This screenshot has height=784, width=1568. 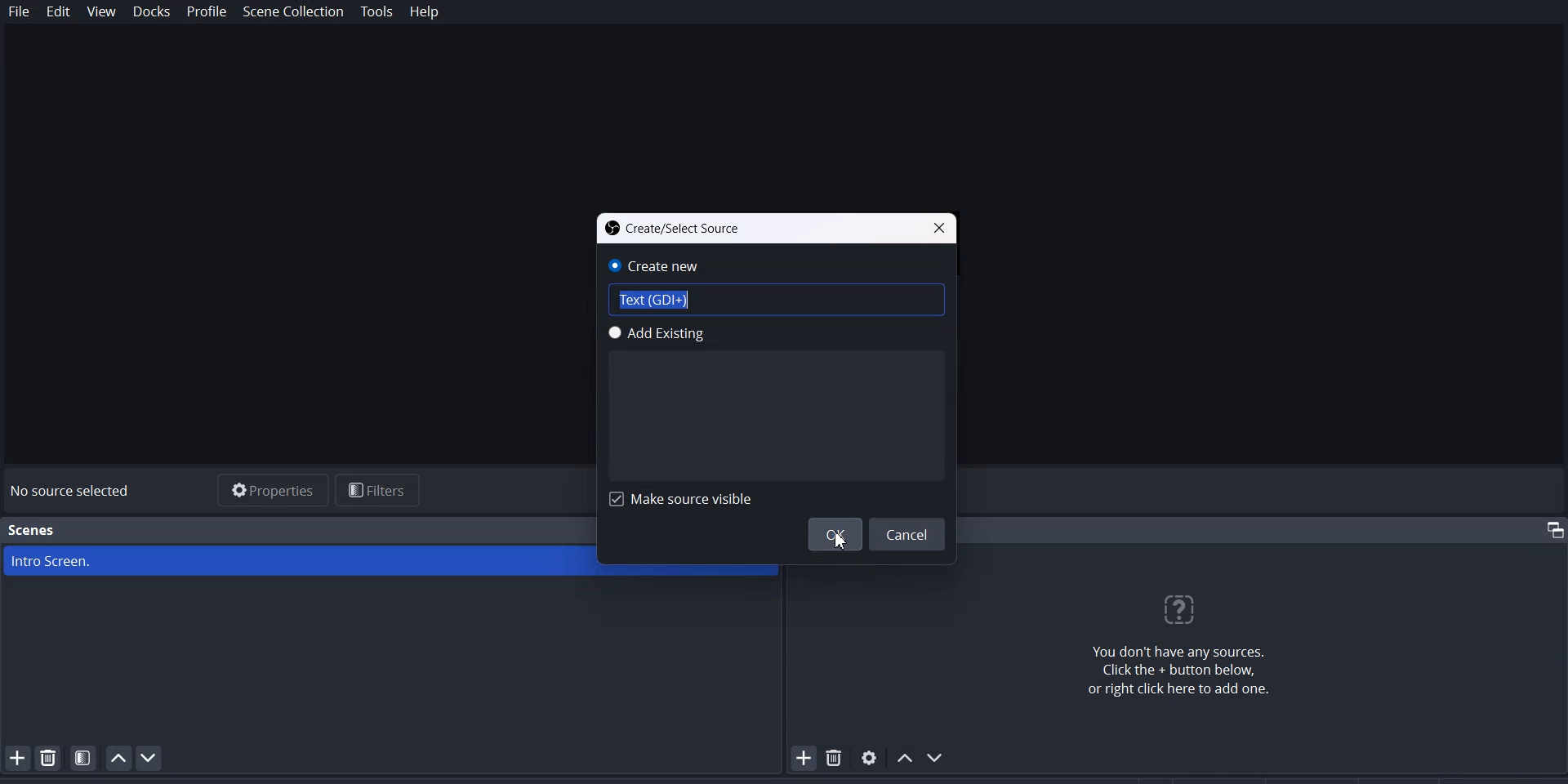 I want to click on Move scene Down, so click(x=149, y=758).